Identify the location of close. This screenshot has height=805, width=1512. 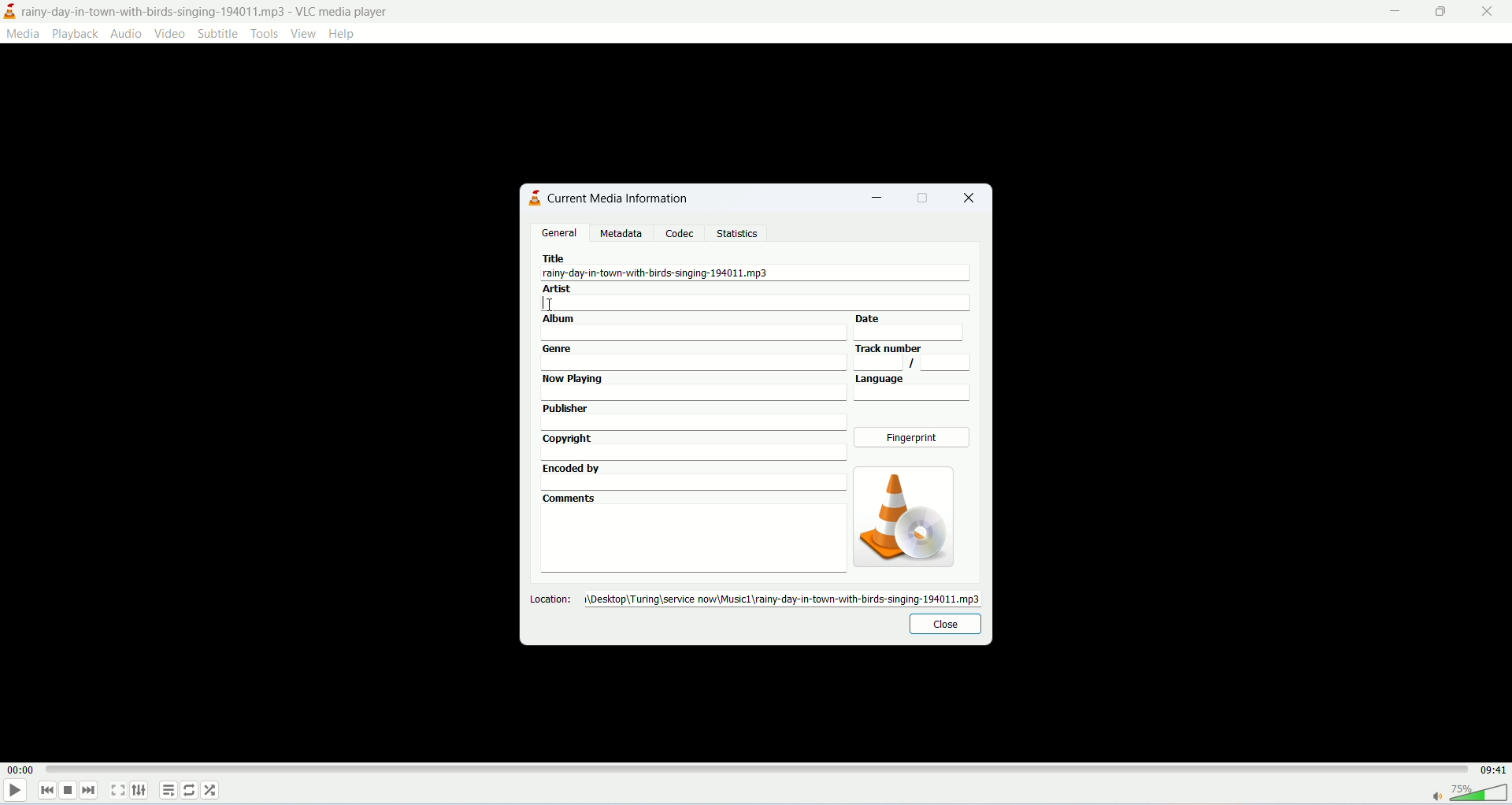
(1486, 13).